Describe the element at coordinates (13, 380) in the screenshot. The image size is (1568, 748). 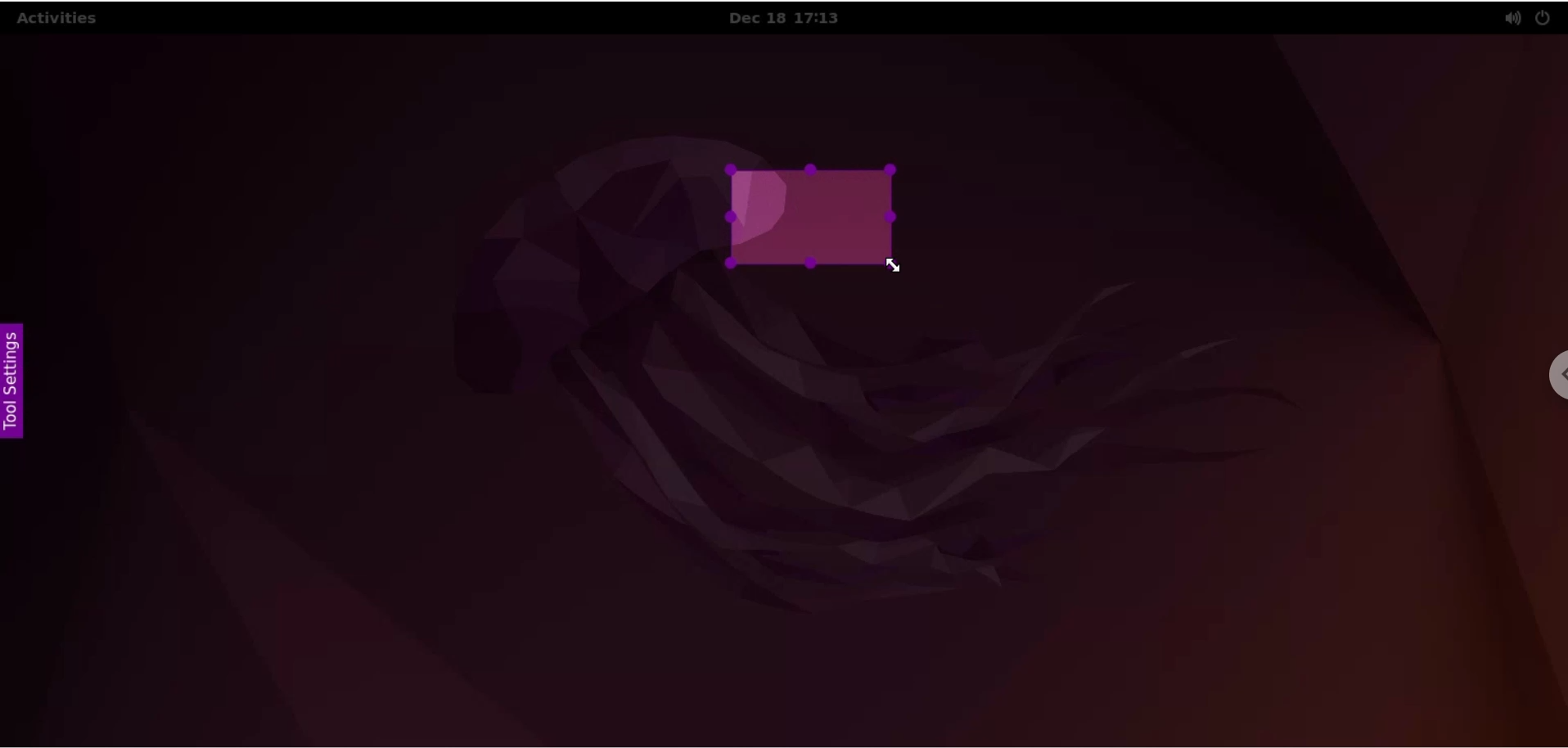
I see `settings` at that location.